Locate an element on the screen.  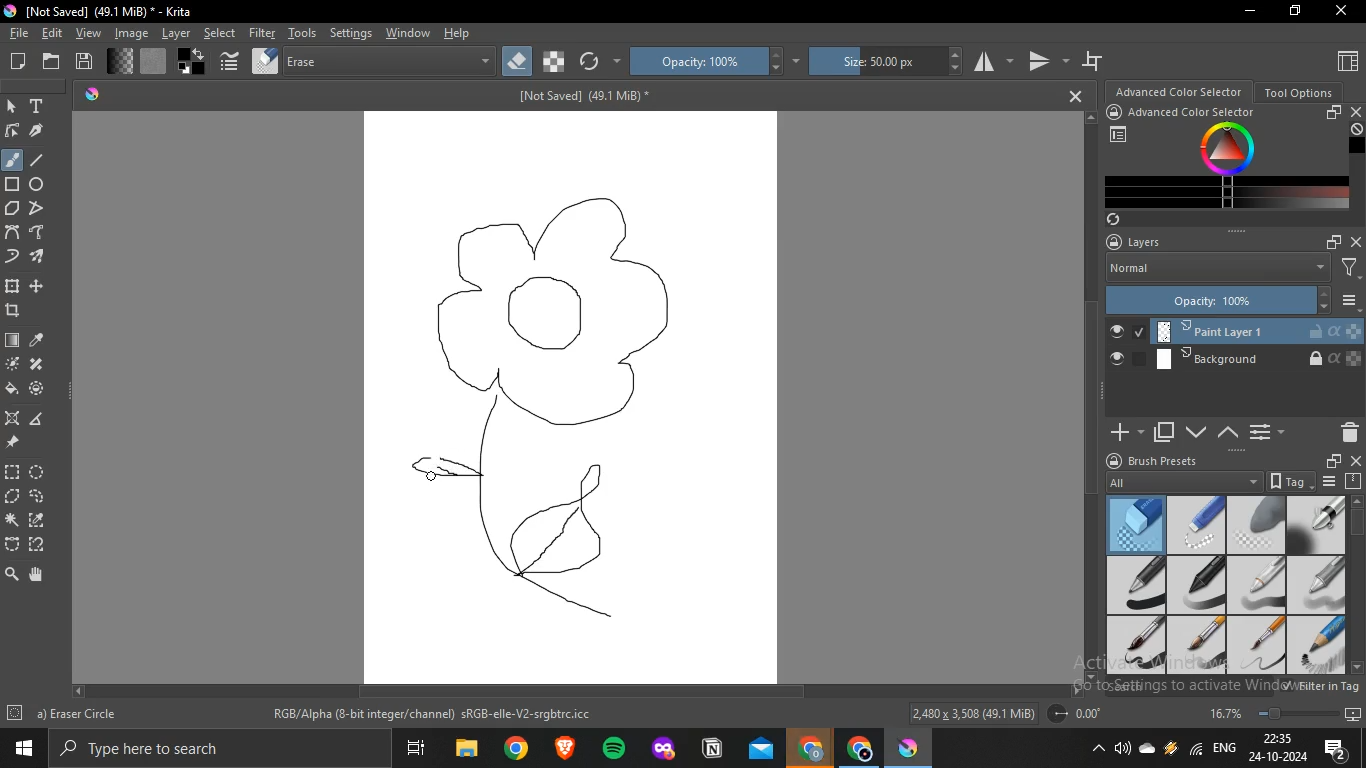
Down is located at coordinates (1357, 667).